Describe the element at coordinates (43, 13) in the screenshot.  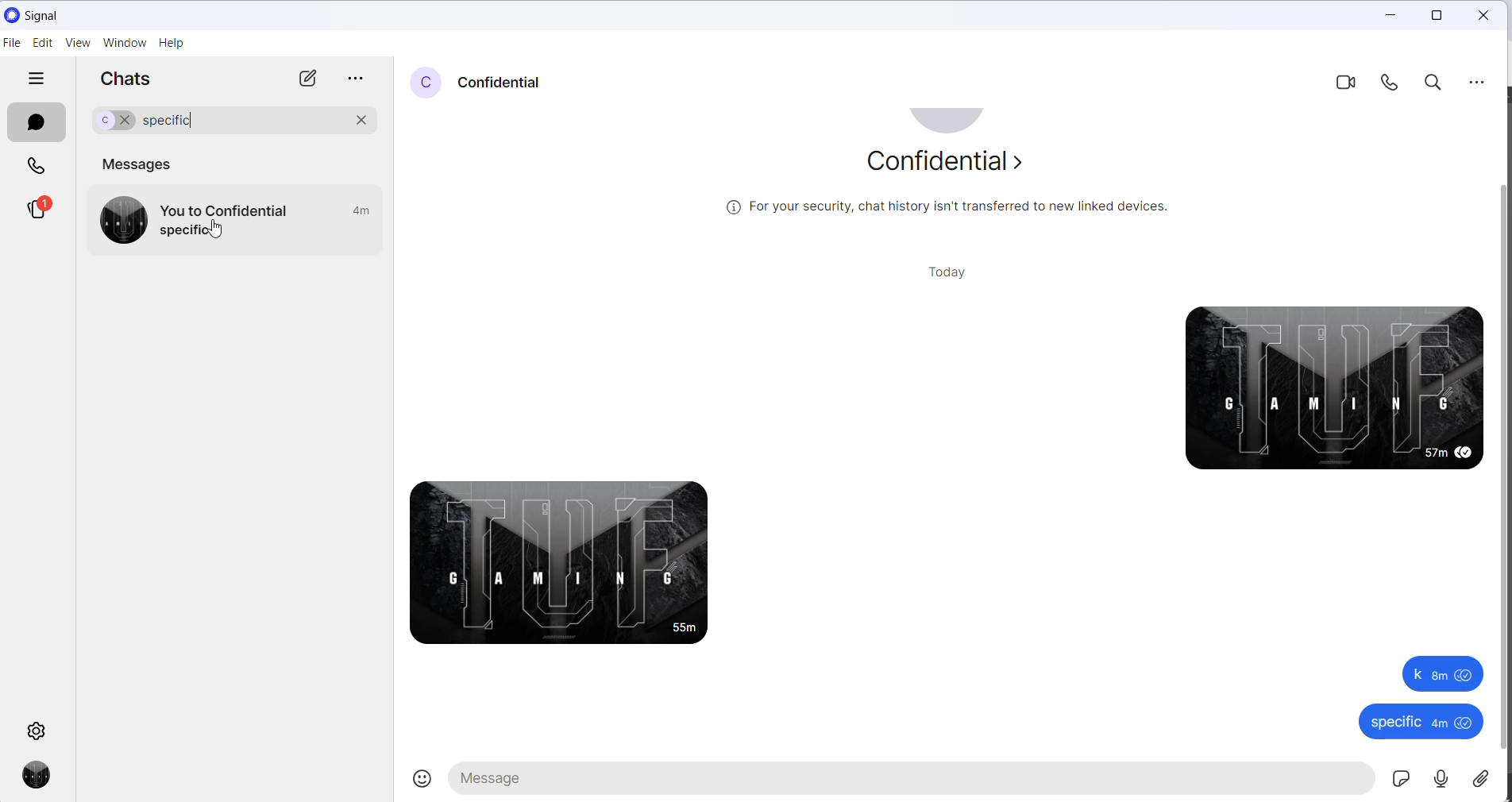
I see `application name and logo` at that location.